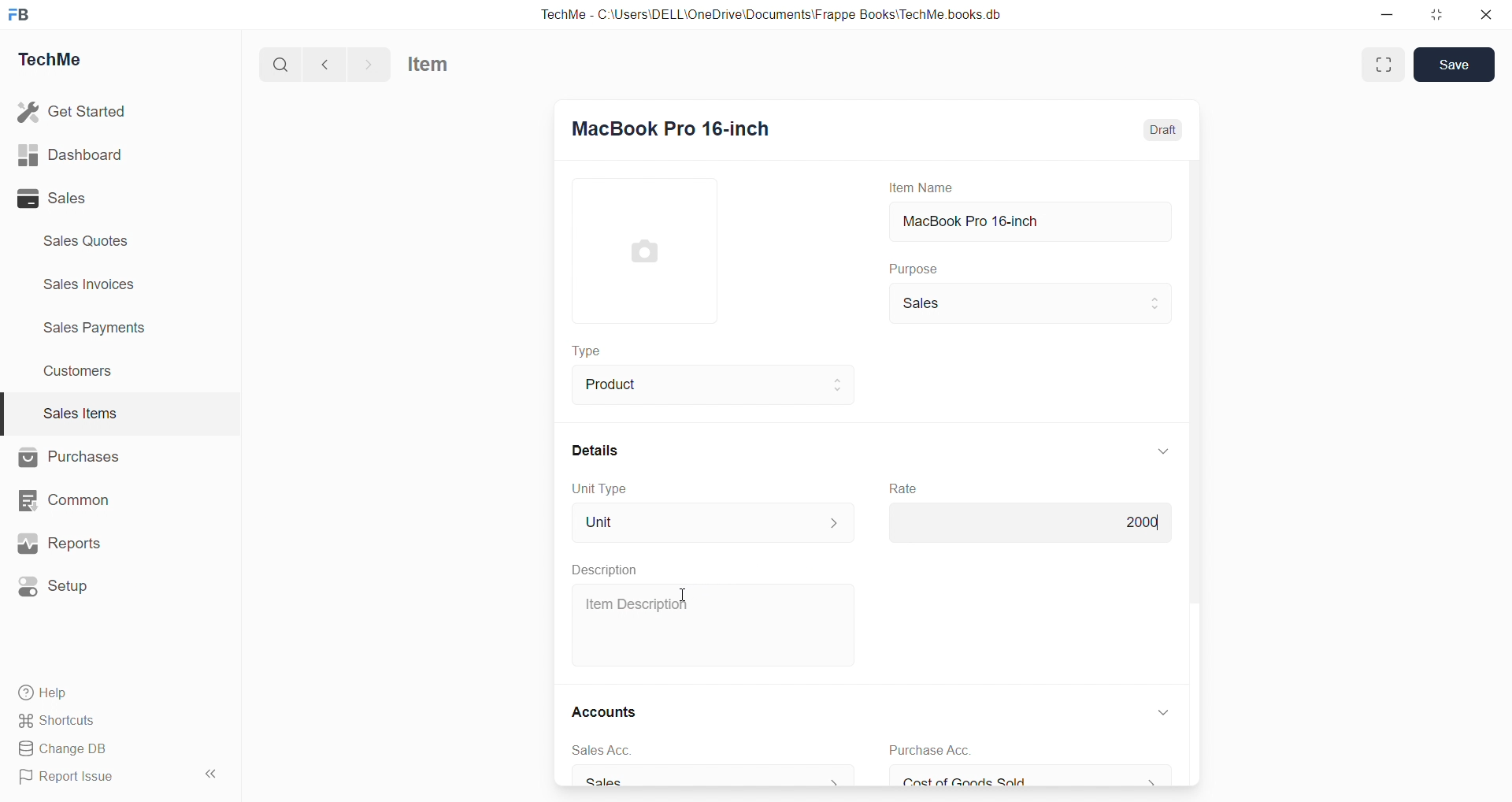  What do you see at coordinates (55, 58) in the screenshot?
I see `TechMe` at bounding box center [55, 58].